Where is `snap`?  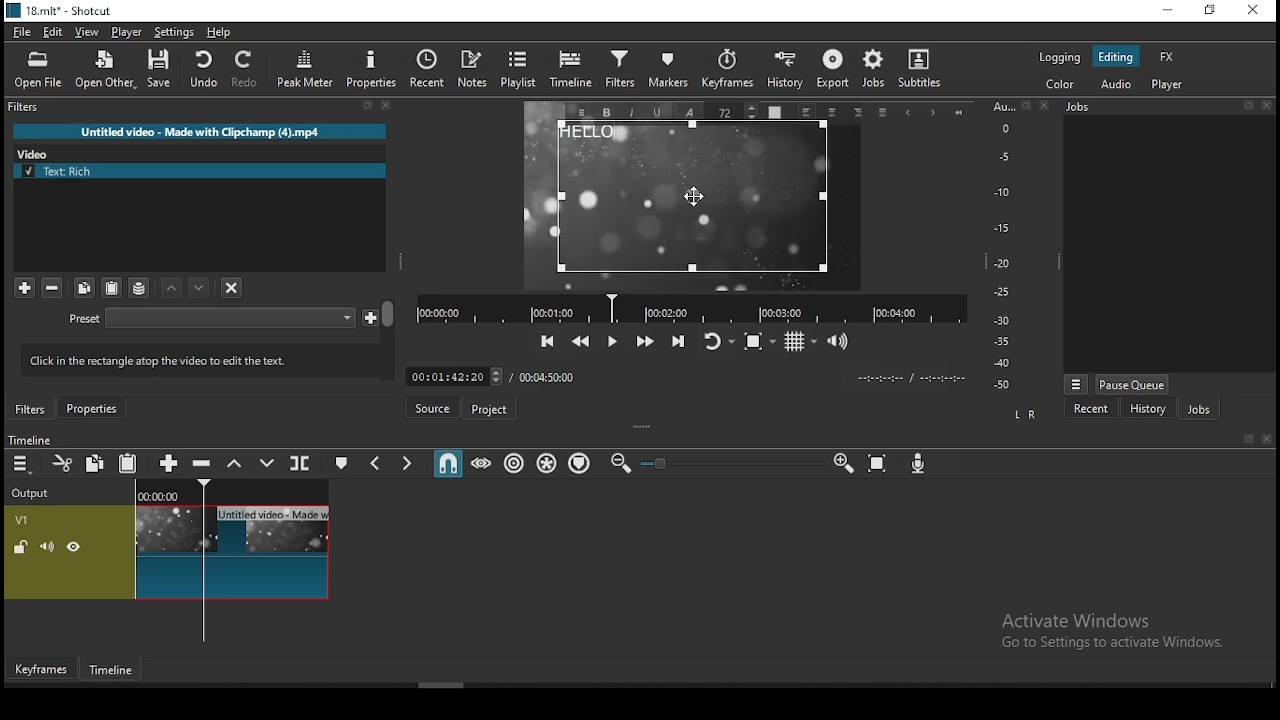 snap is located at coordinates (447, 461).